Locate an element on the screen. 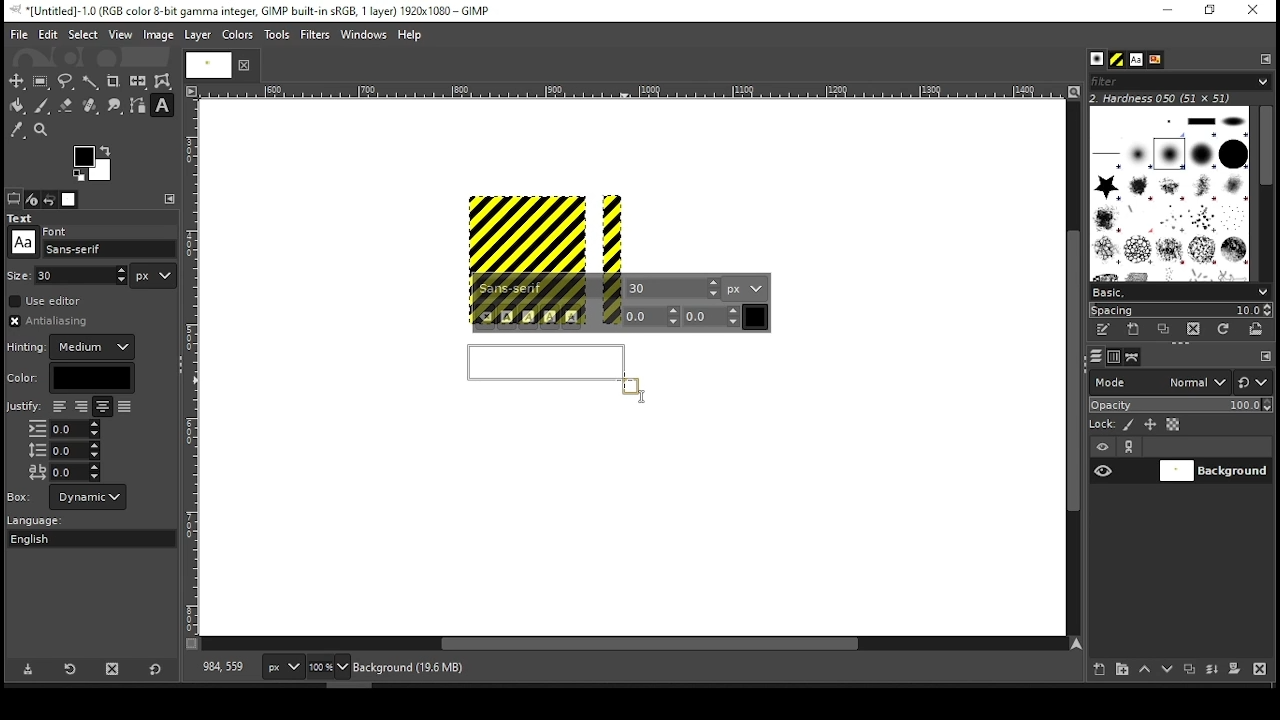 The width and height of the screenshot is (1280, 720). layer visibility on/off is located at coordinates (1104, 470).